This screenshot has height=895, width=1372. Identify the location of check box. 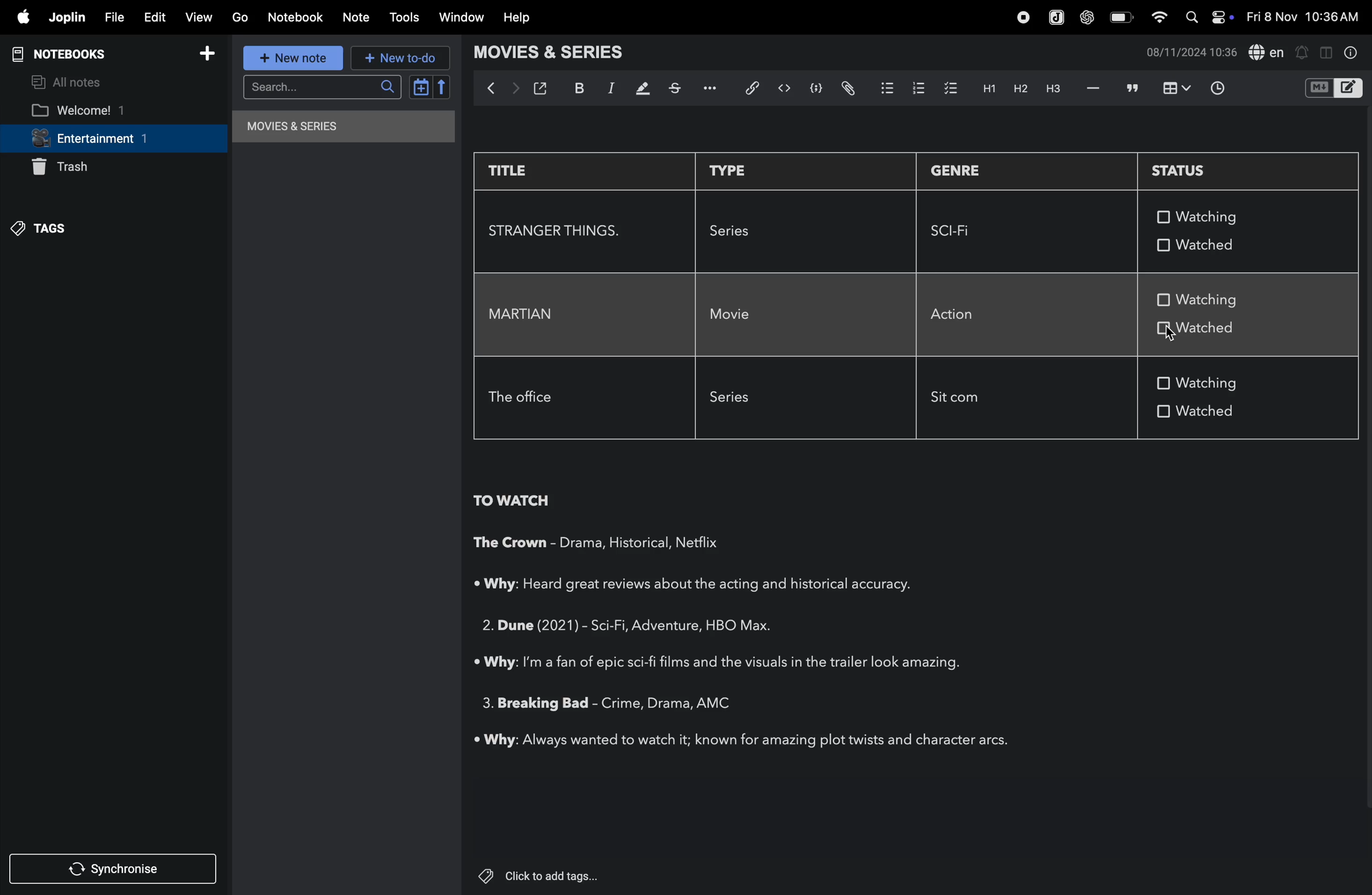
(1160, 244).